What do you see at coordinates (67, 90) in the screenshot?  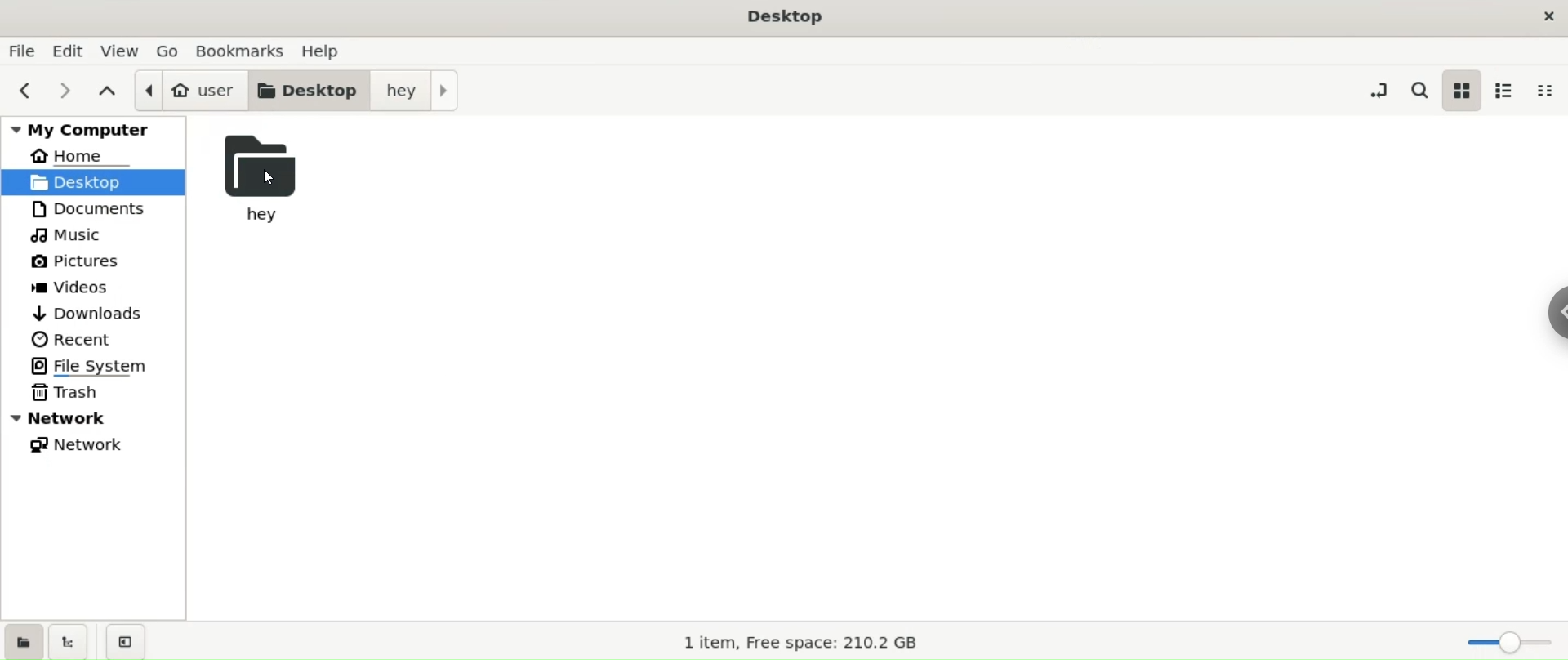 I see `next` at bounding box center [67, 90].